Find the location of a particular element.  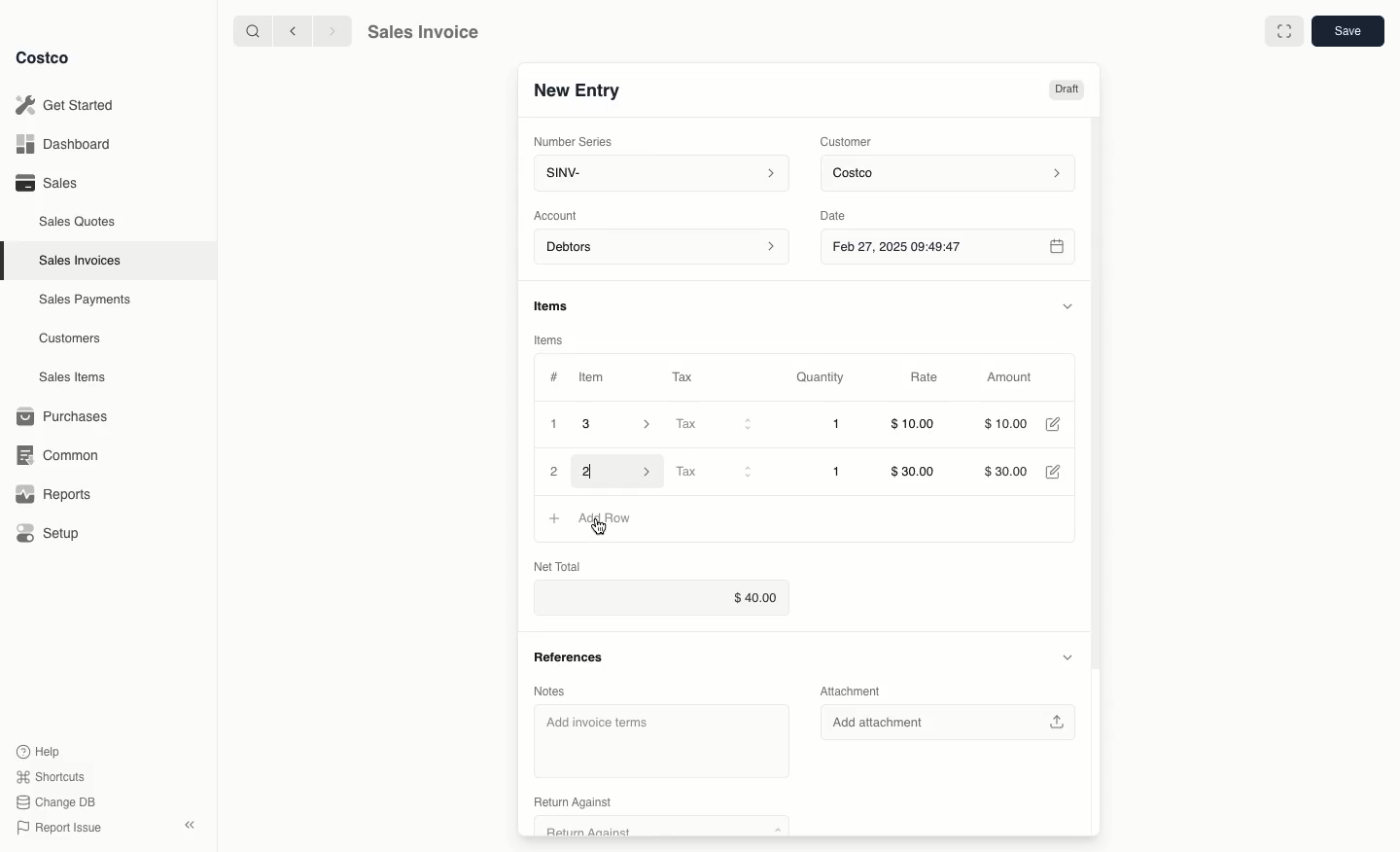

‘Add invoice terms is located at coordinates (654, 736).